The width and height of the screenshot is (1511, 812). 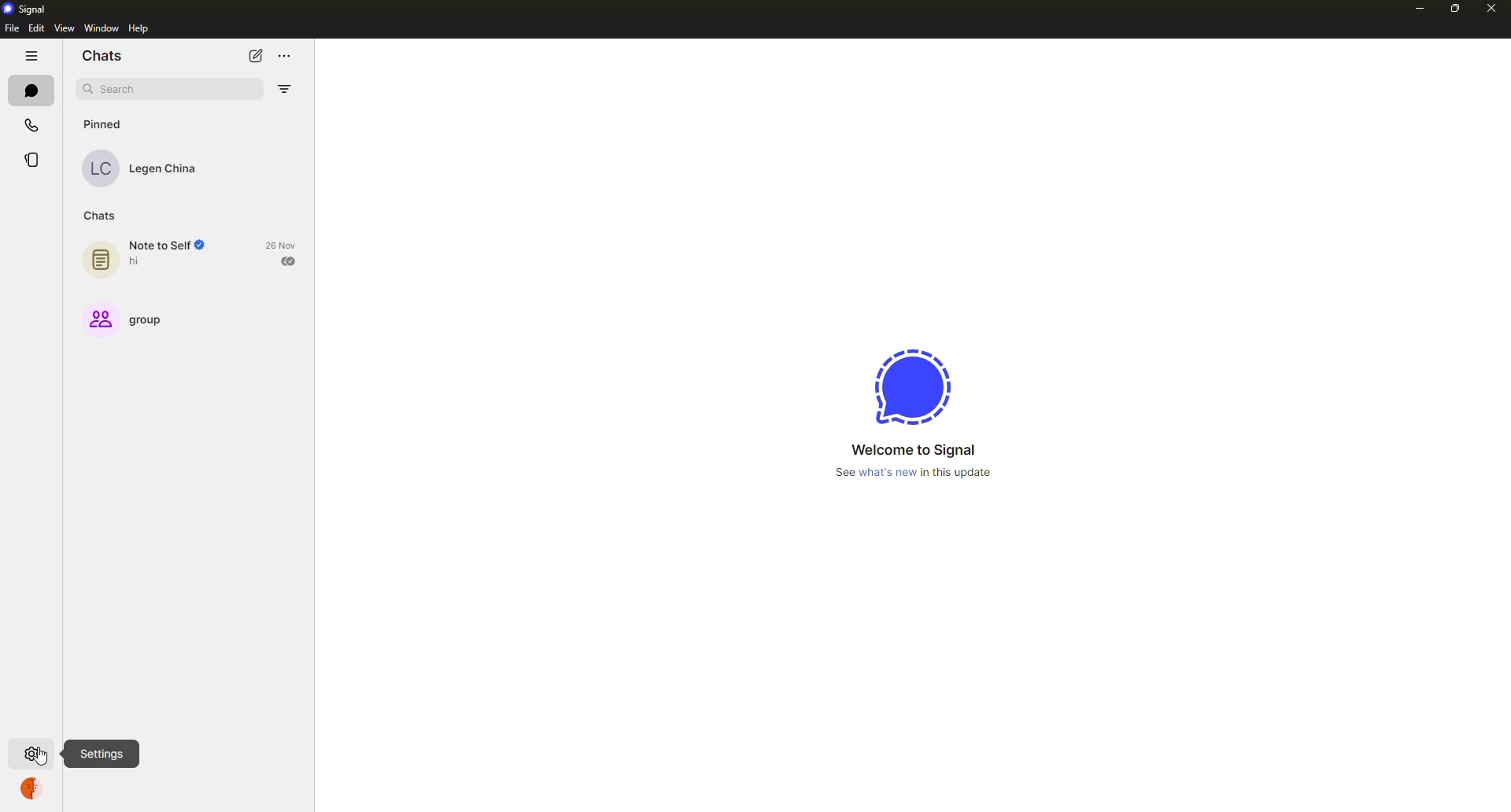 What do you see at coordinates (1417, 9) in the screenshot?
I see `minimize` at bounding box center [1417, 9].